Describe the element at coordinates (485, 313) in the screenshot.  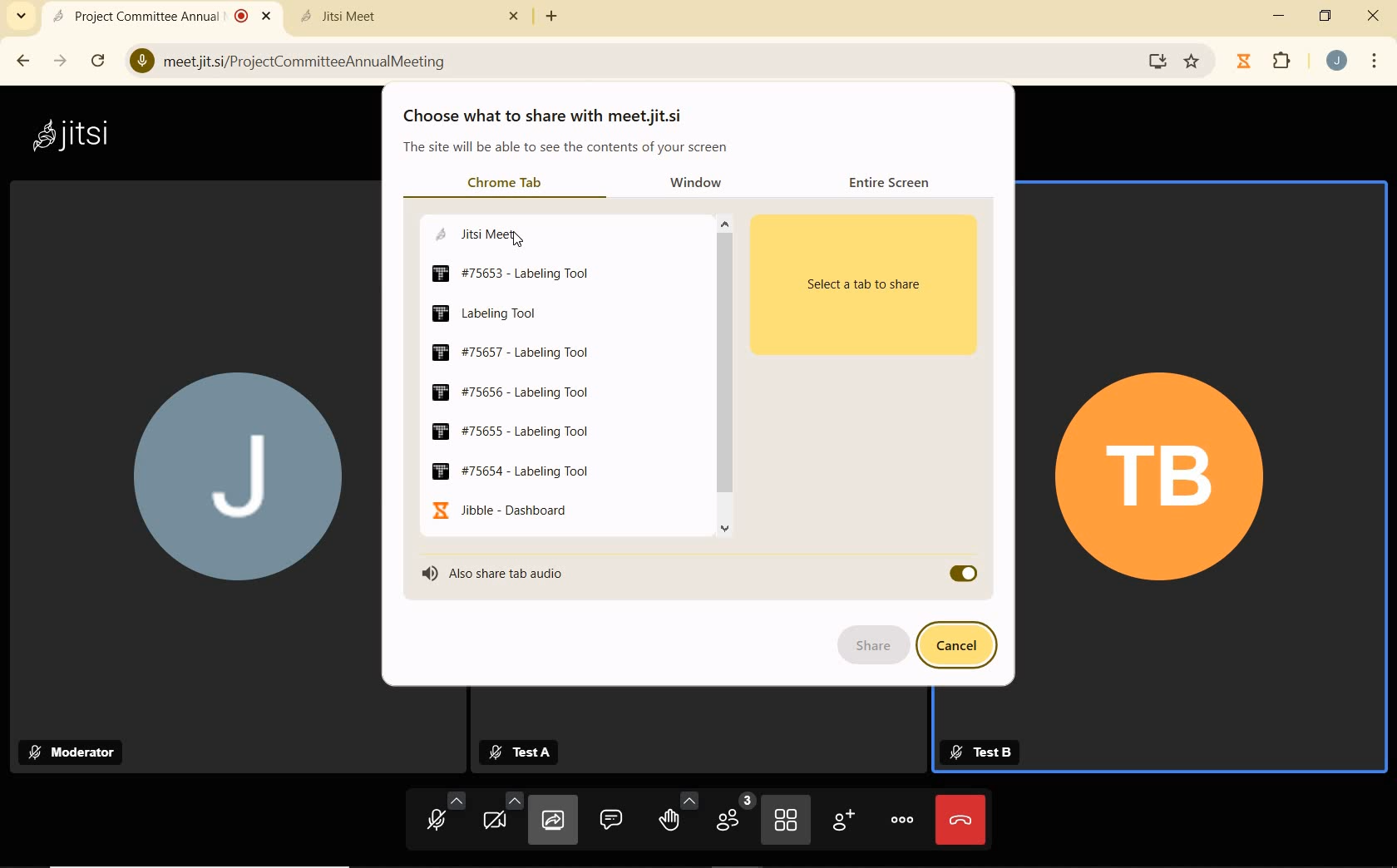
I see `Labeling Tool` at that location.